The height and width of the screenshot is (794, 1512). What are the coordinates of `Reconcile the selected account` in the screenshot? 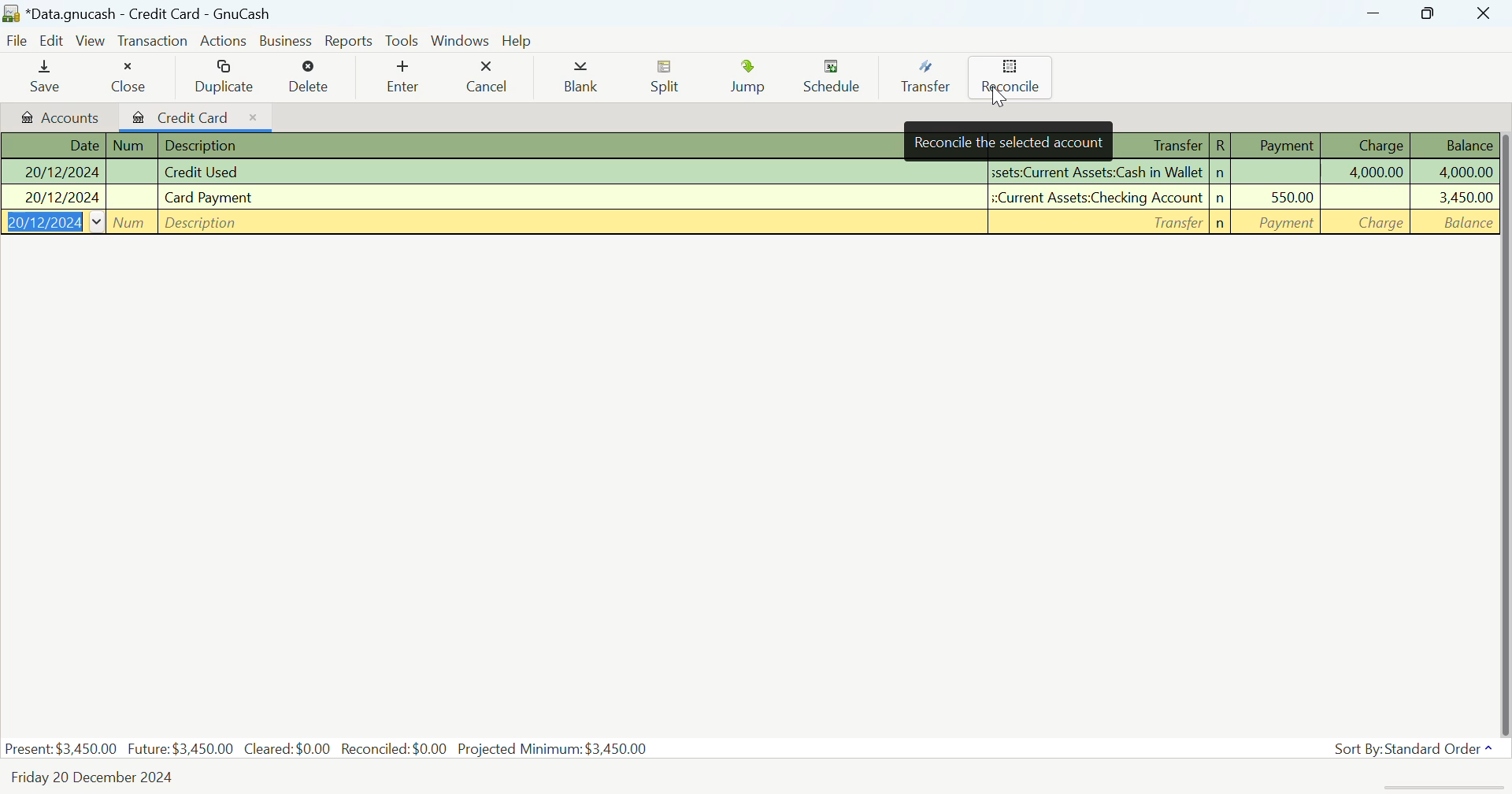 It's located at (1006, 141).